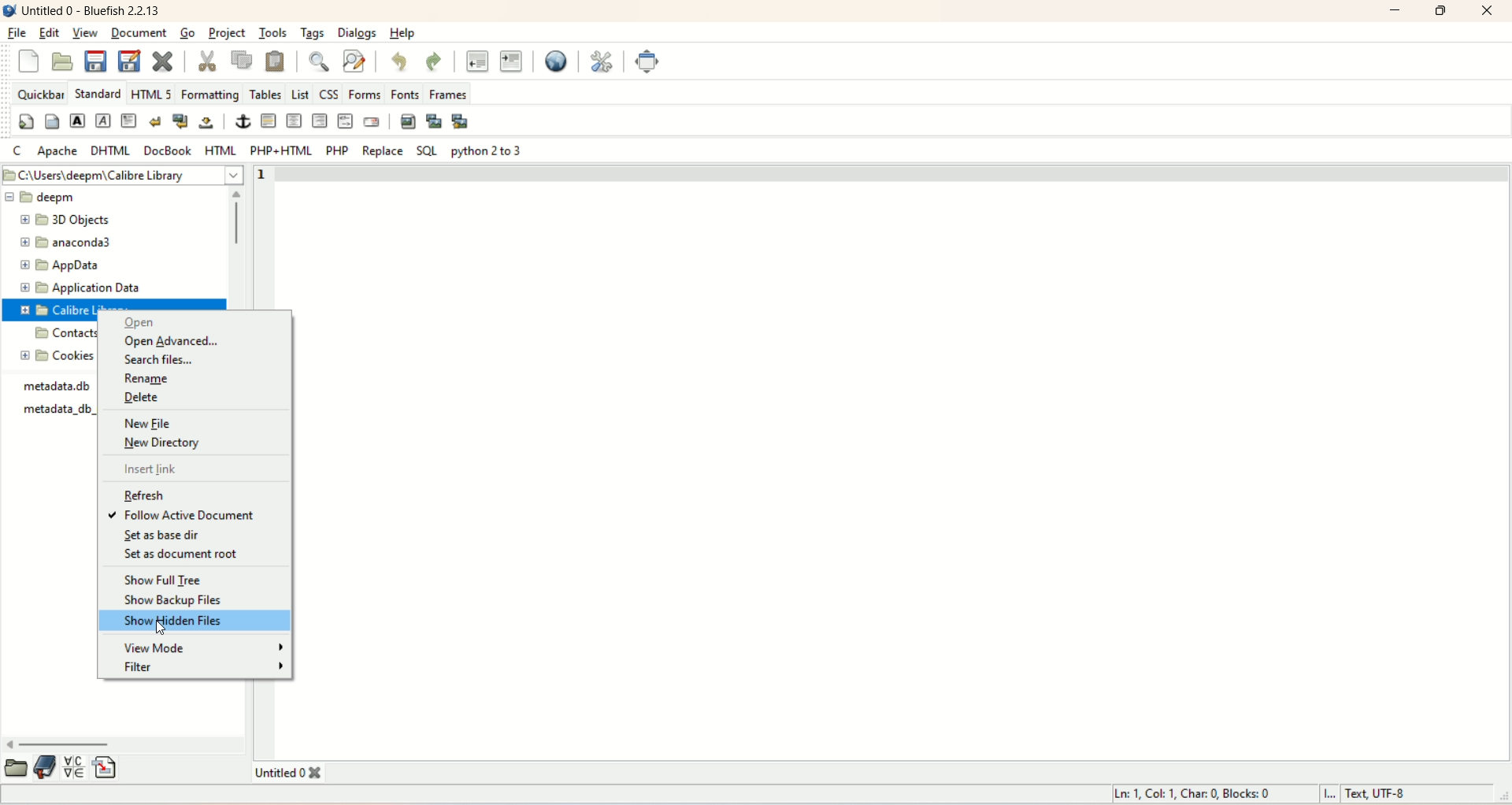 The image size is (1512, 805). I want to click on list, so click(298, 91).